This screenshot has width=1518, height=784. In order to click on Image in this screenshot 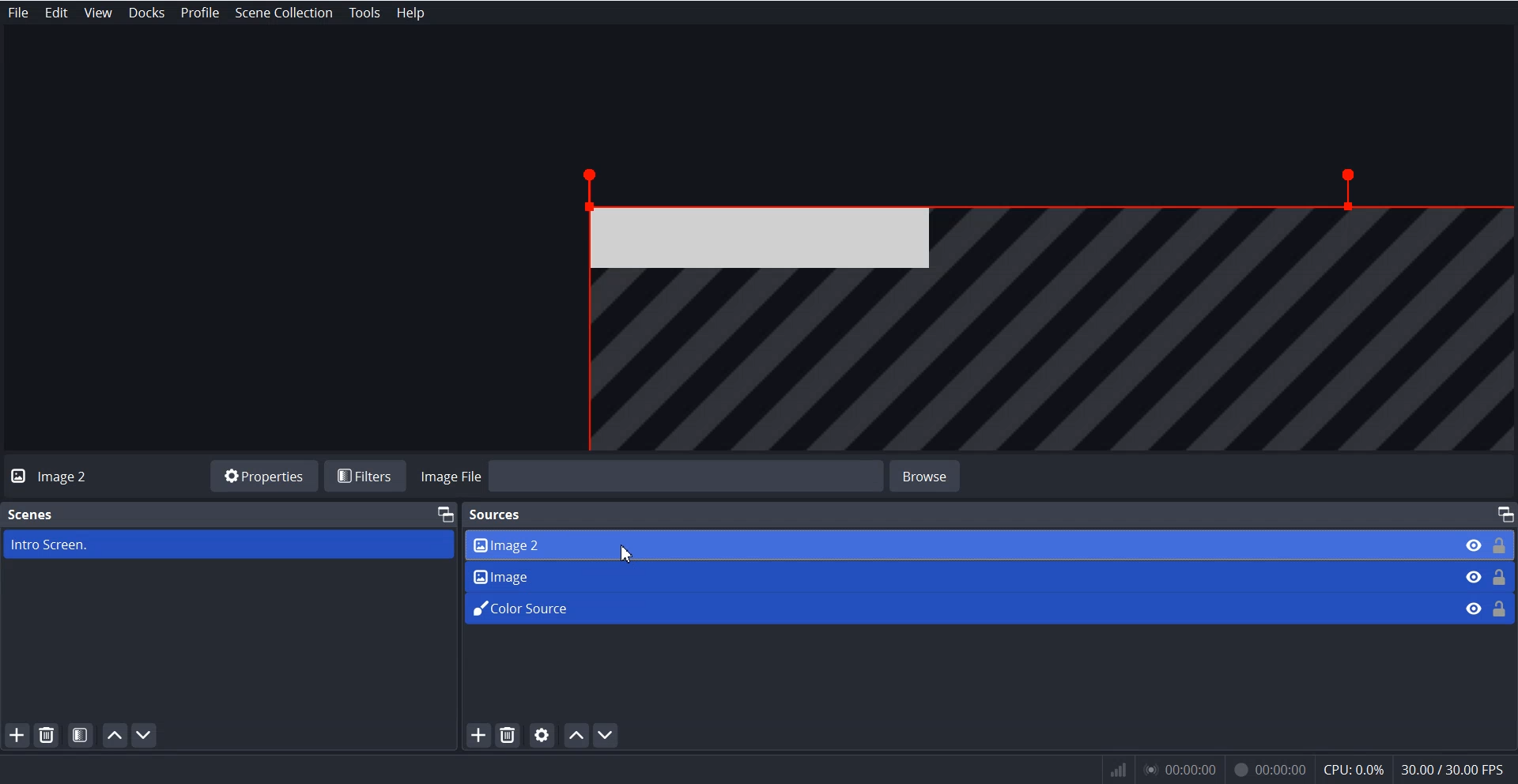, I will do `click(953, 574)`.